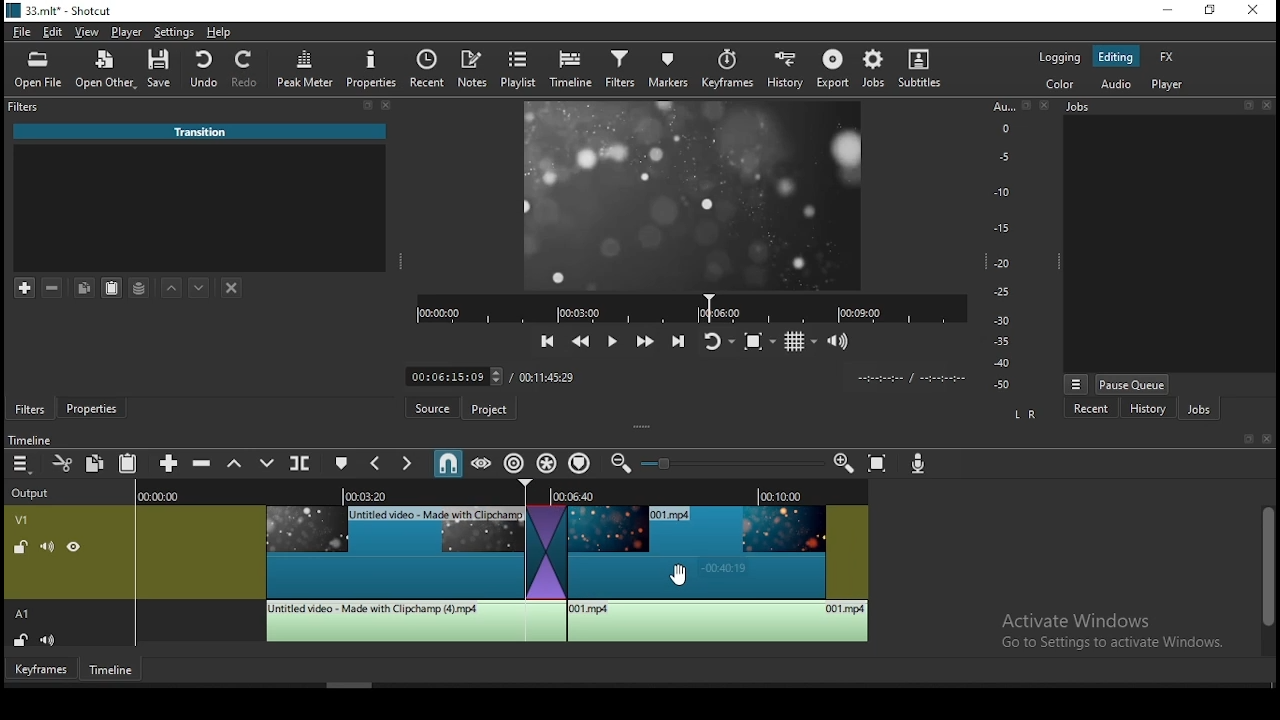 Image resolution: width=1280 pixels, height=720 pixels. Describe the element at coordinates (414, 621) in the screenshot. I see `audio clip` at that location.